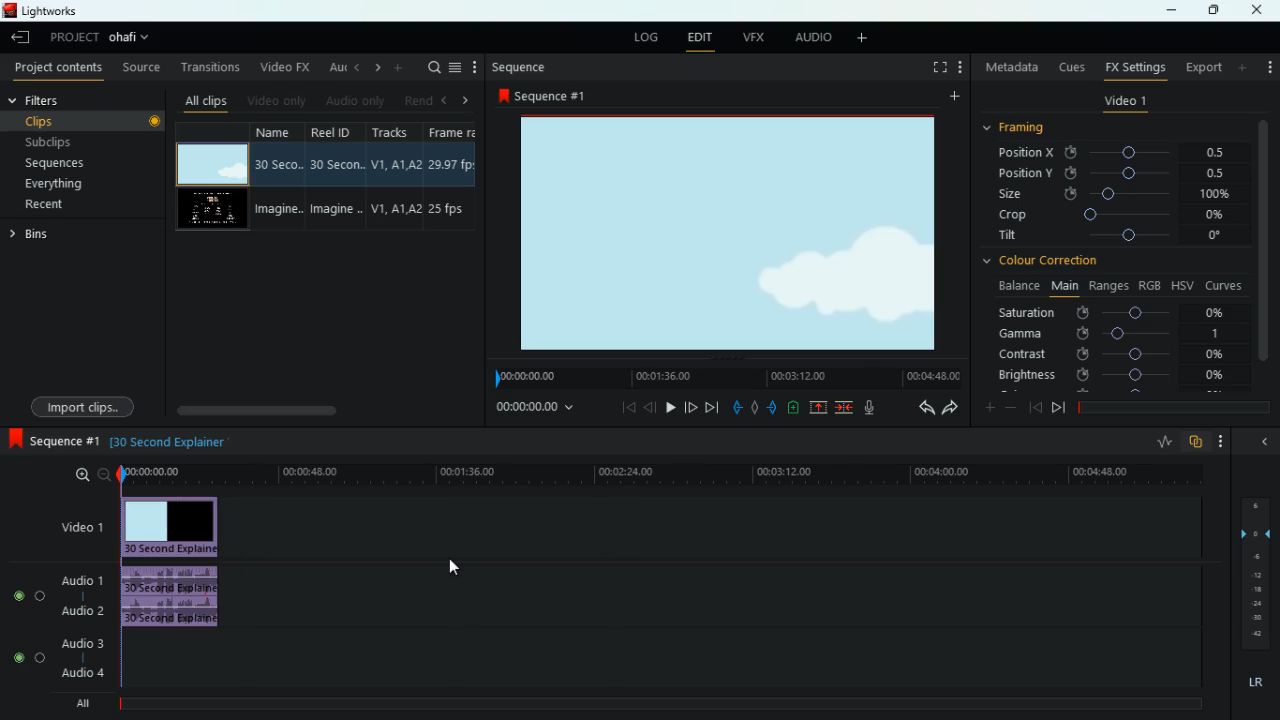  Describe the element at coordinates (455, 565) in the screenshot. I see `cursor` at that location.